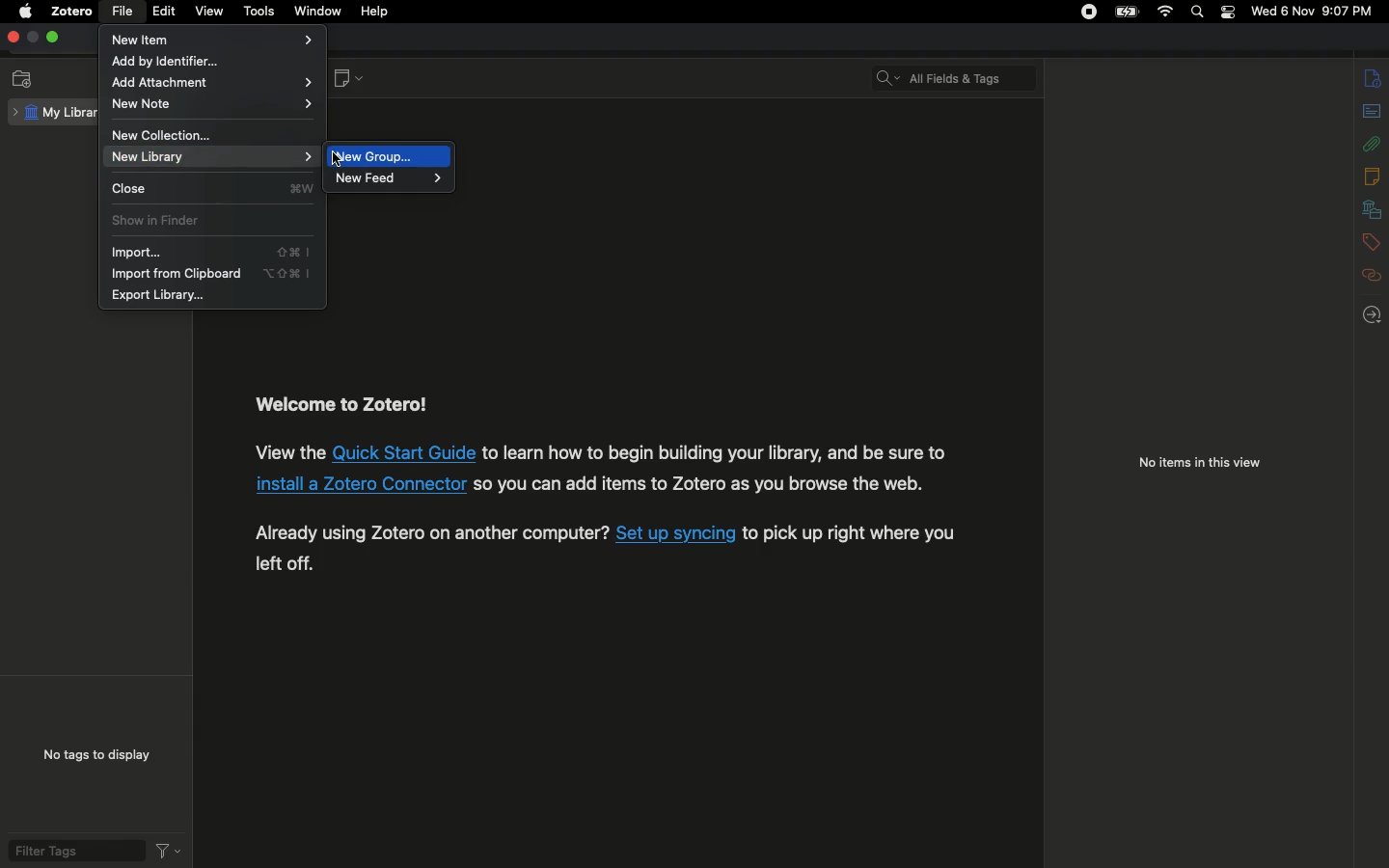 Image resolution: width=1389 pixels, height=868 pixels. Describe the element at coordinates (214, 39) in the screenshot. I see `New item` at that location.